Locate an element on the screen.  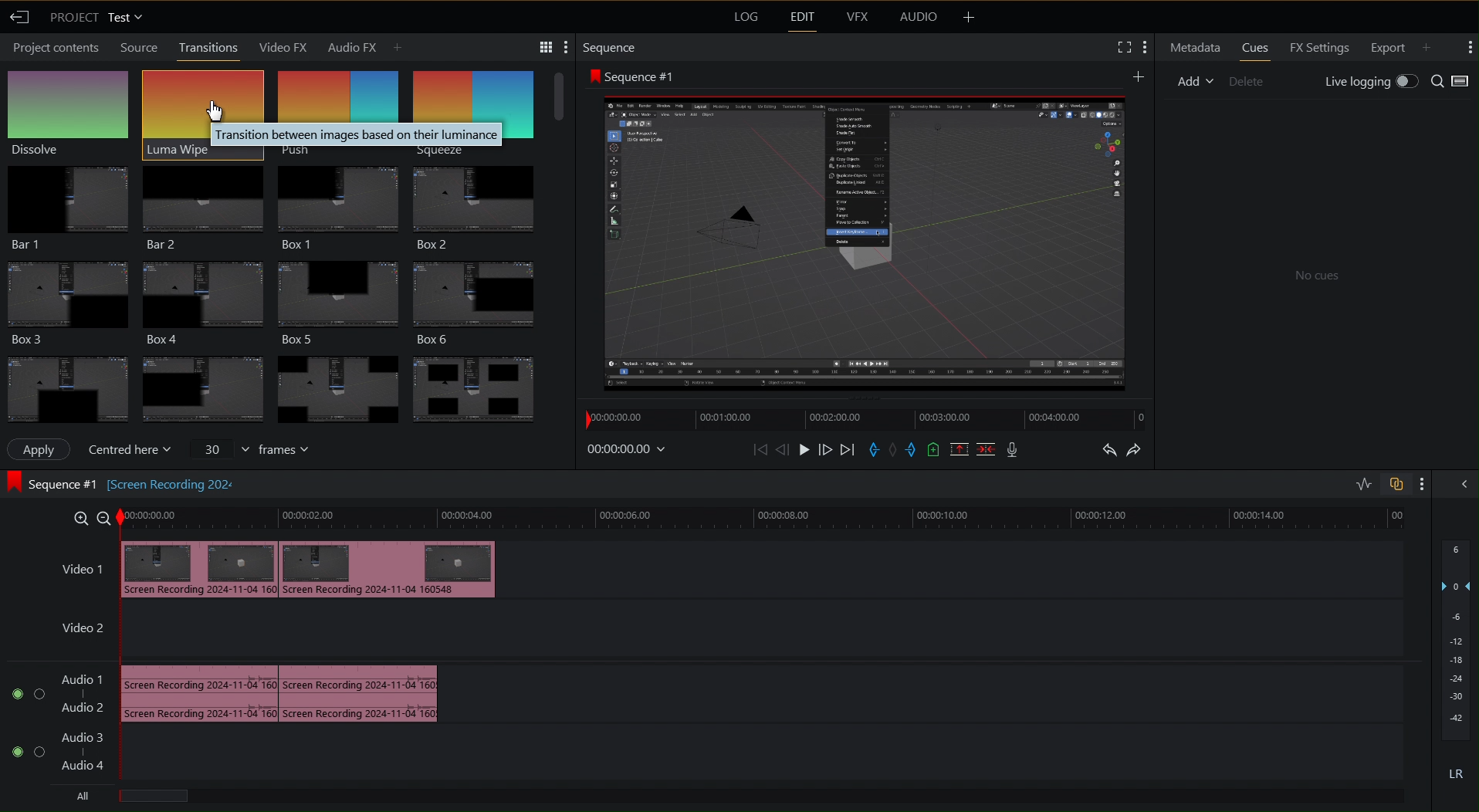
Audio Track 2 is located at coordinates (73, 753).